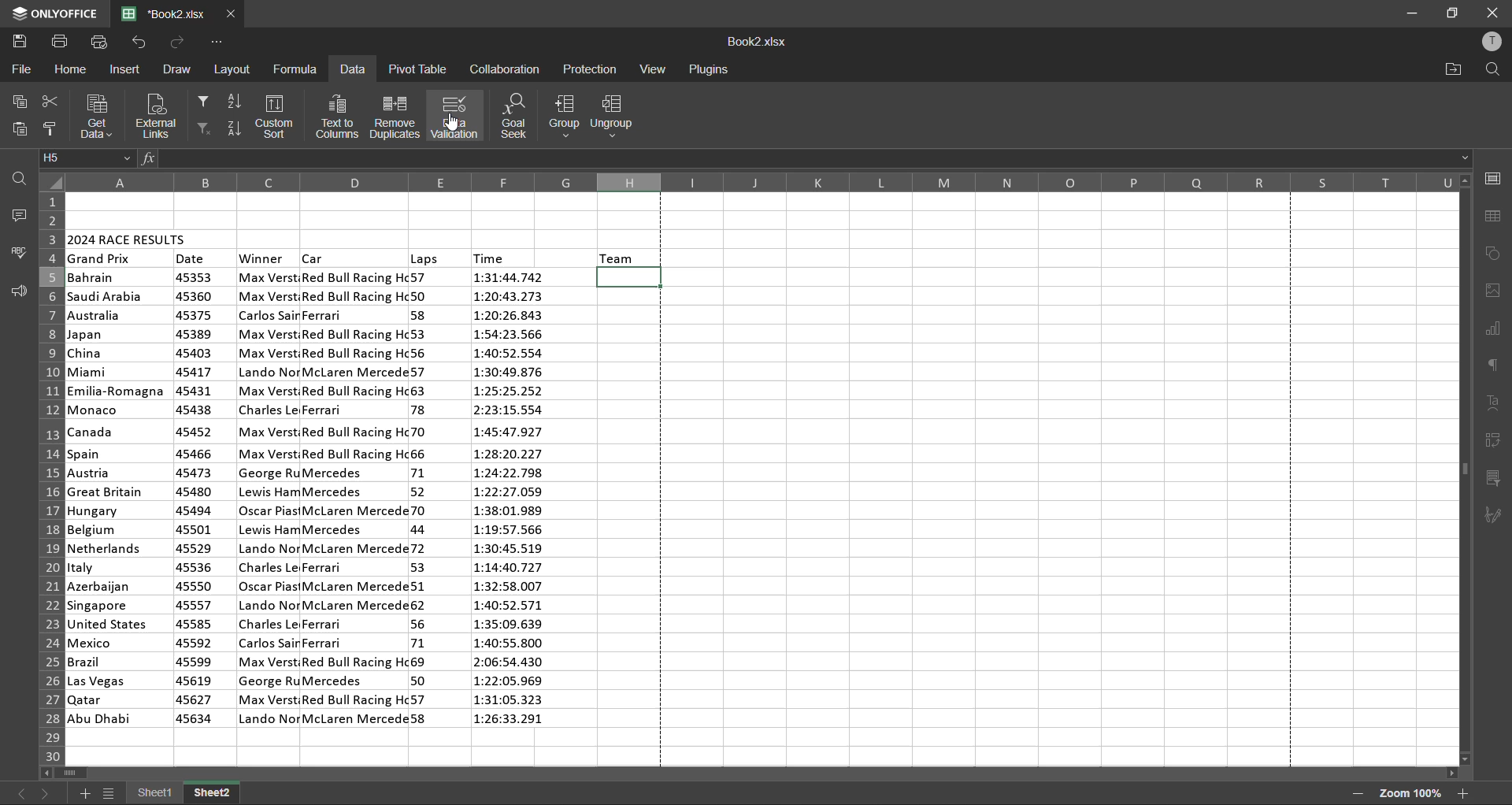  I want to click on quick print, so click(98, 42).